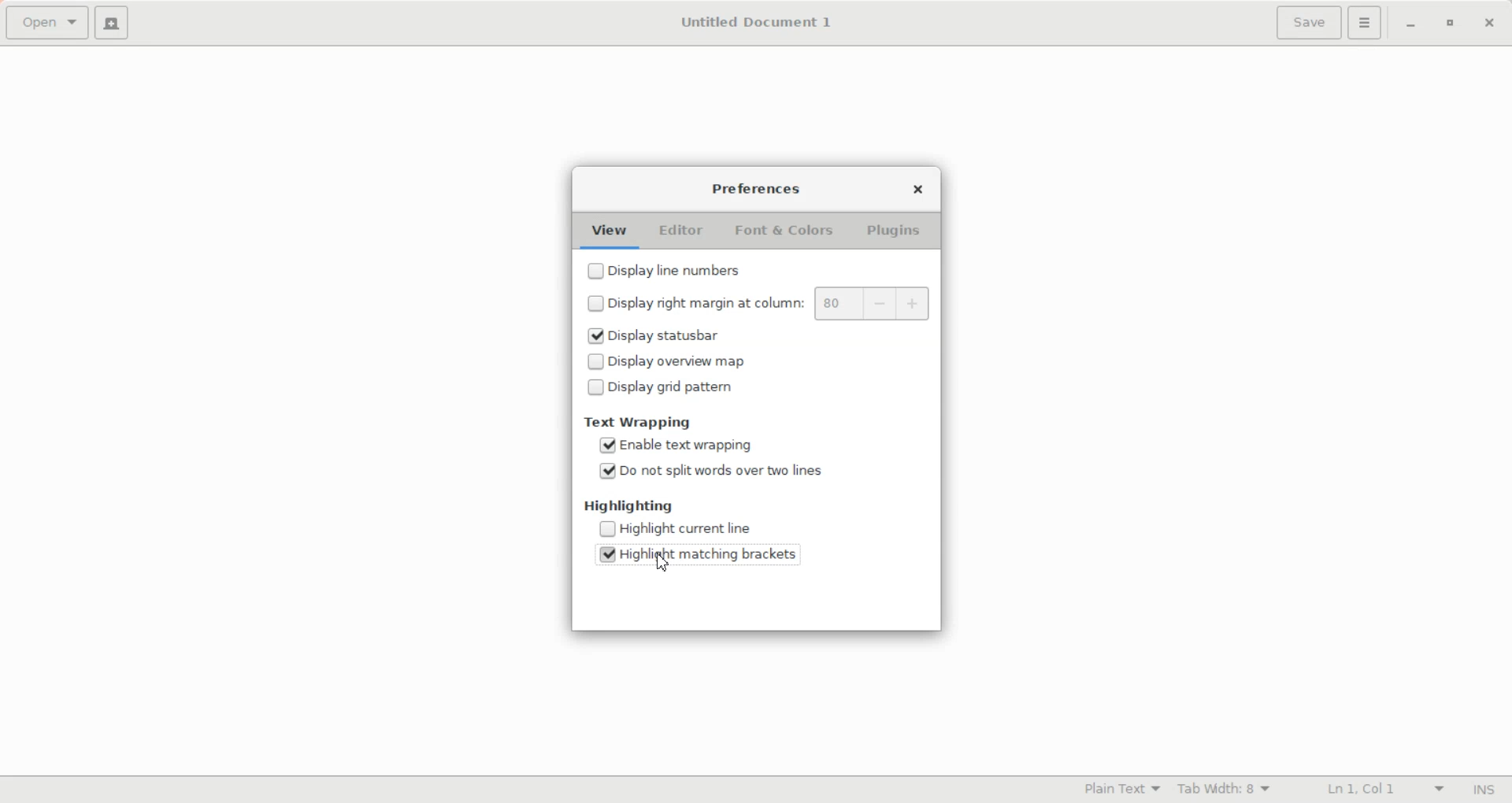 The image size is (1512, 803). I want to click on 80, so click(838, 304).